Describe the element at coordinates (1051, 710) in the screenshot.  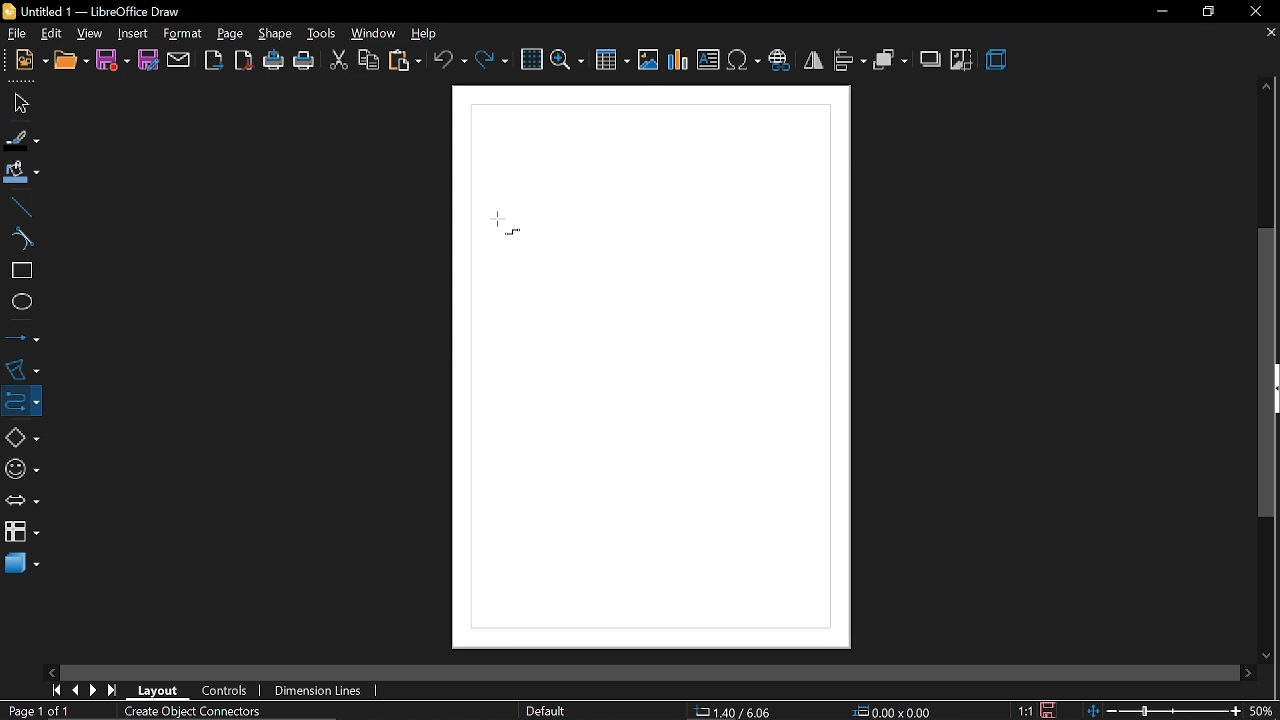
I see `save` at that location.